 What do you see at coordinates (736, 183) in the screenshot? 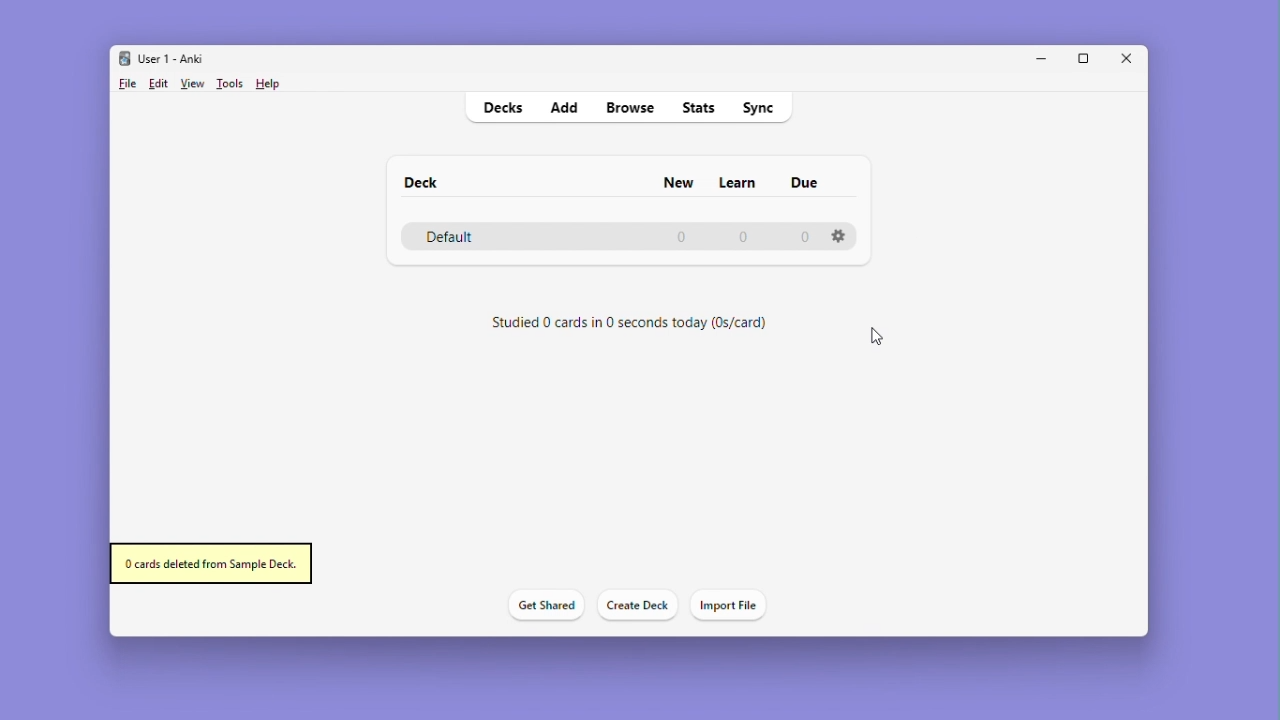
I see `Learn ` at bounding box center [736, 183].